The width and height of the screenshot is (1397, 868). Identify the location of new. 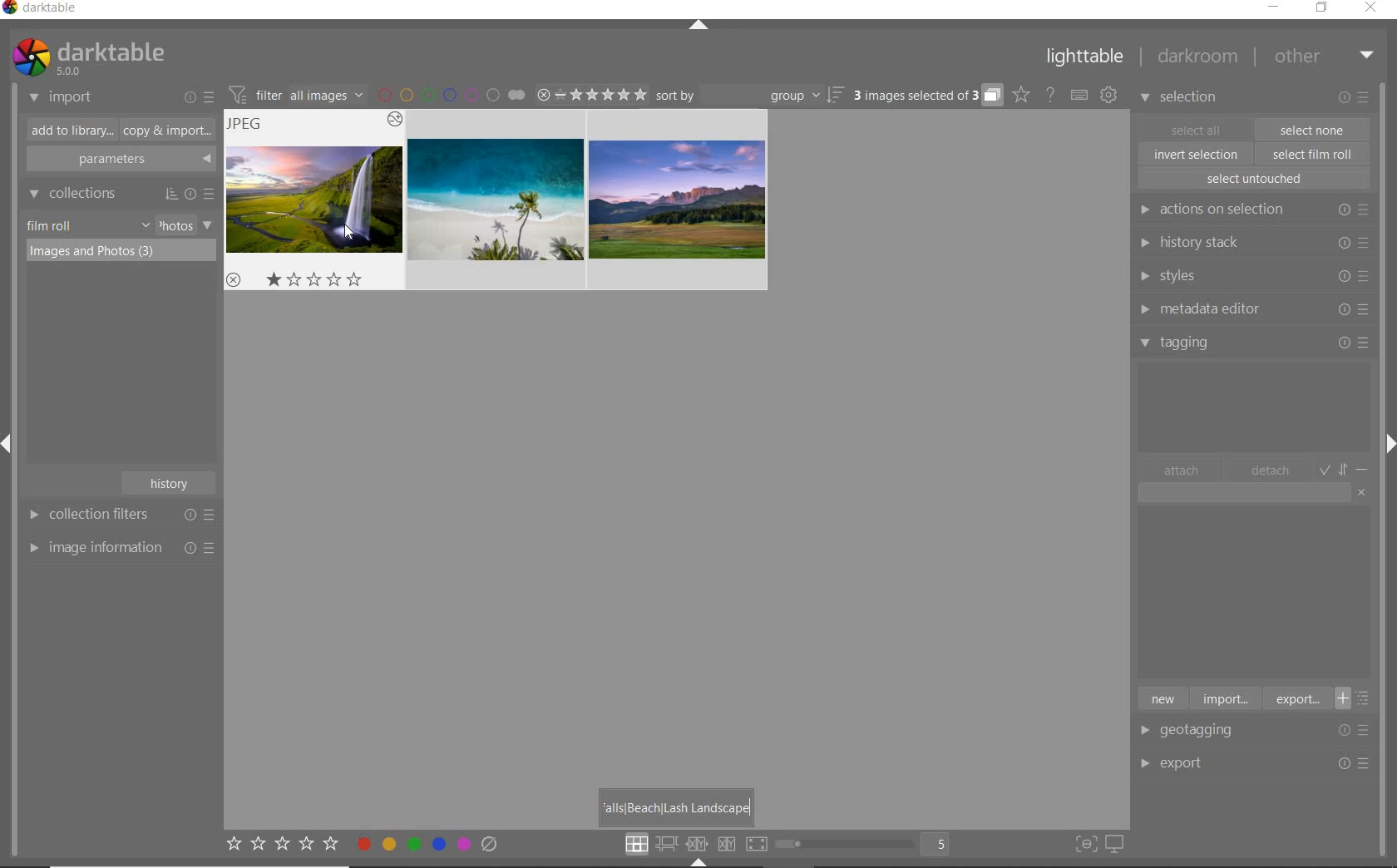
(1162, 698).